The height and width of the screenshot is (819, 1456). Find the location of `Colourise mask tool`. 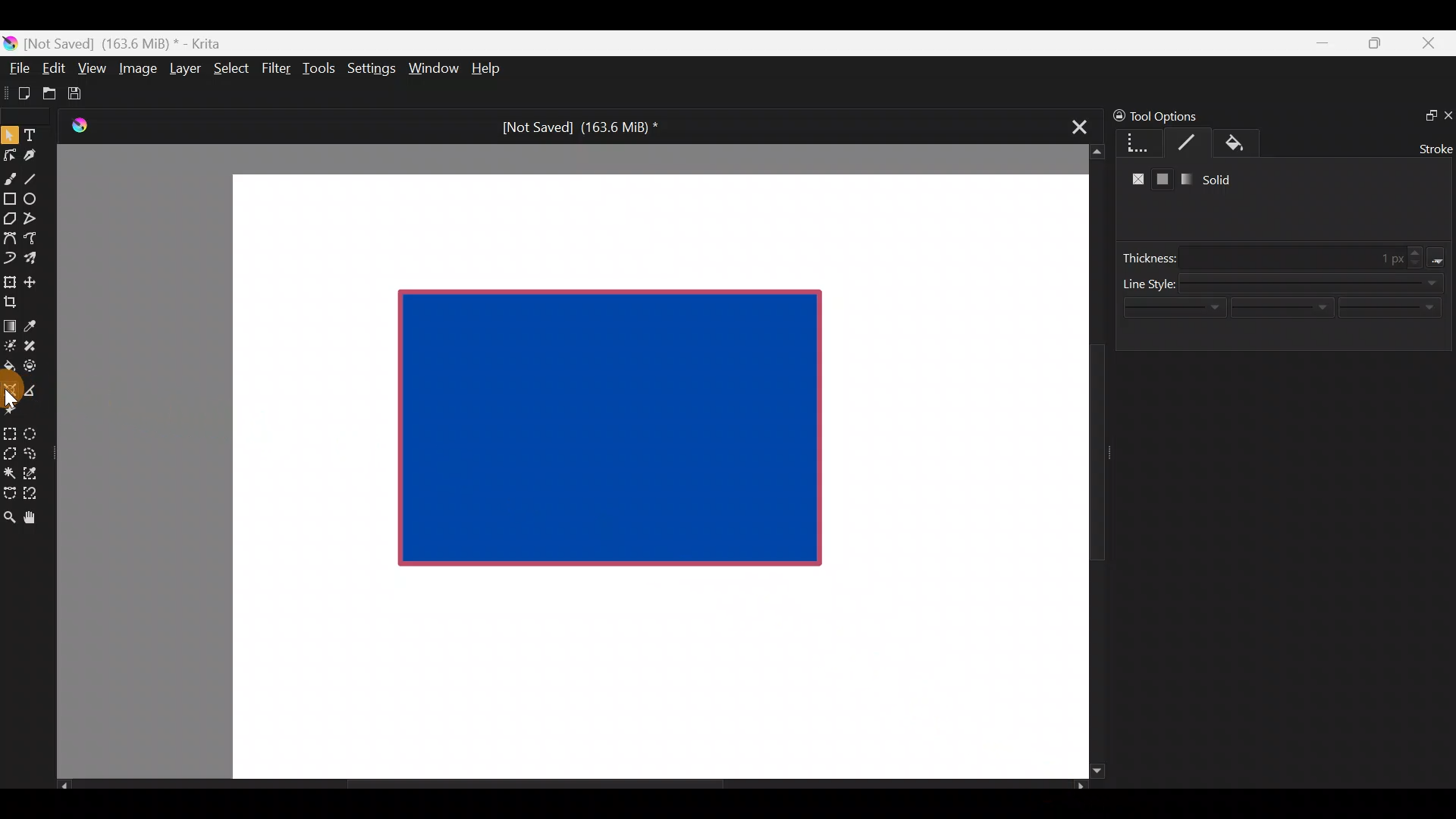

Colourise mask tool is located at coordinates (10, 344).